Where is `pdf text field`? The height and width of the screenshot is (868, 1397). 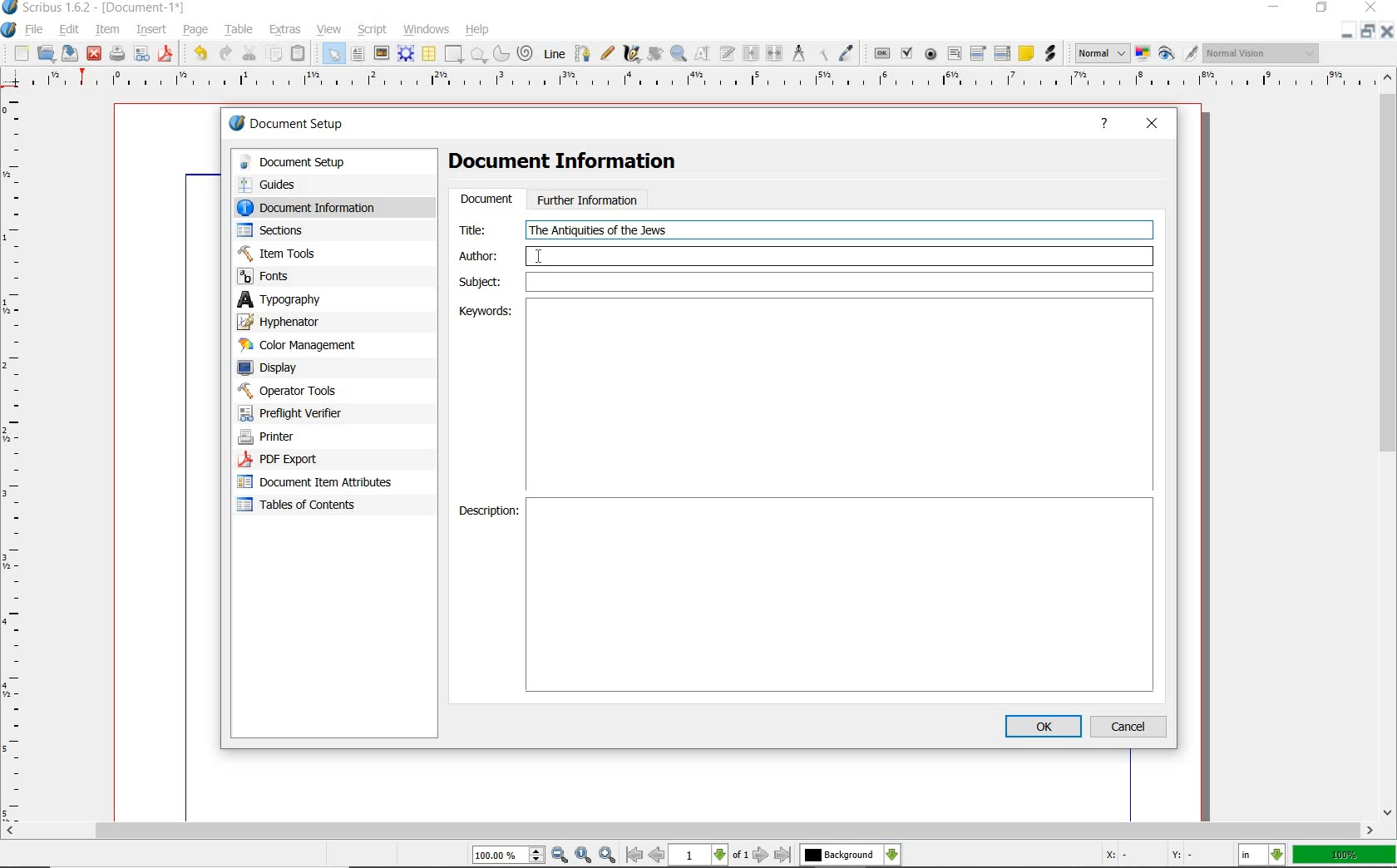 pdf text field is located at coordinates (954, 54).